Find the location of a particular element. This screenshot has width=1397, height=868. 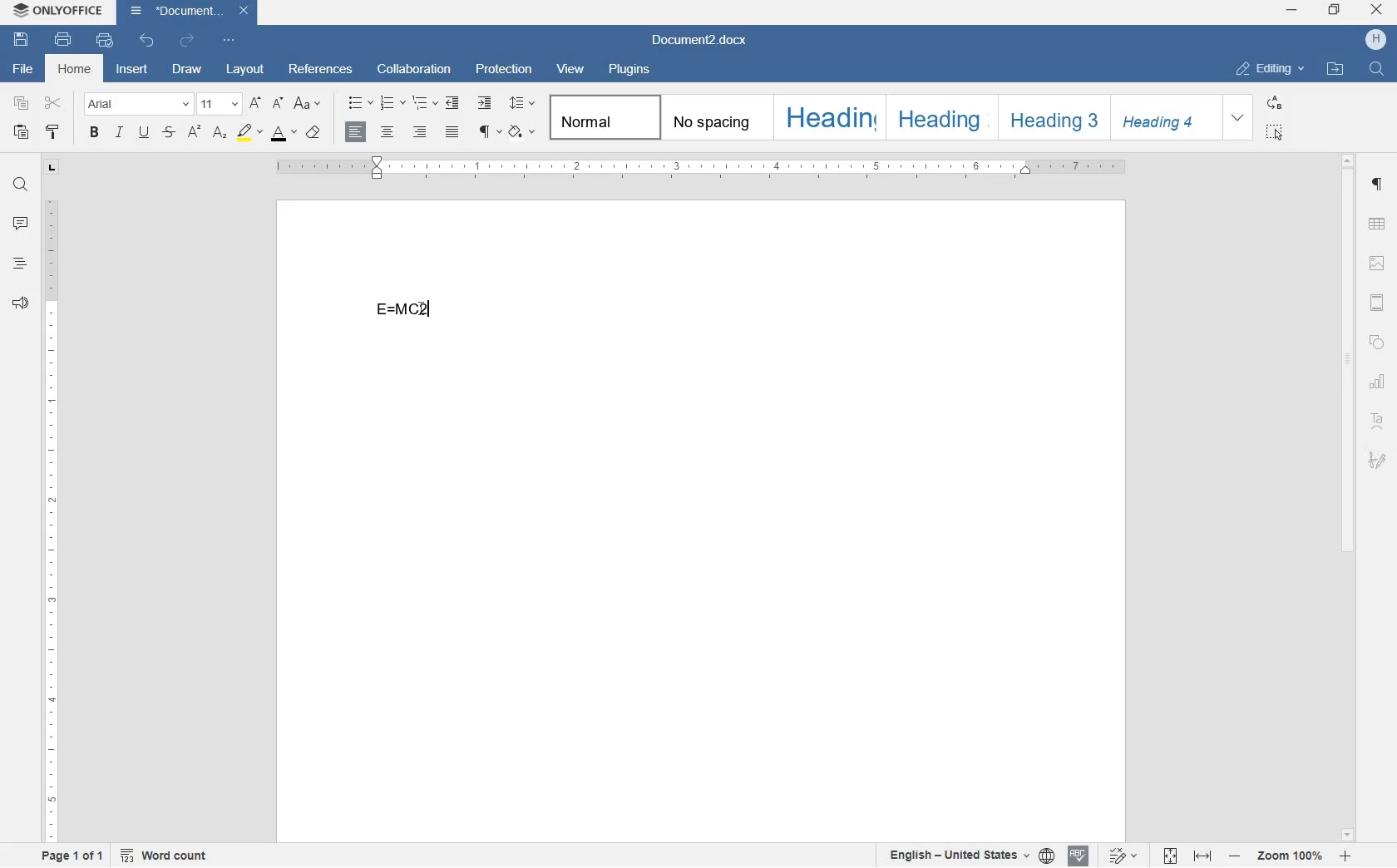

file name is located at coordinates (190, 14).